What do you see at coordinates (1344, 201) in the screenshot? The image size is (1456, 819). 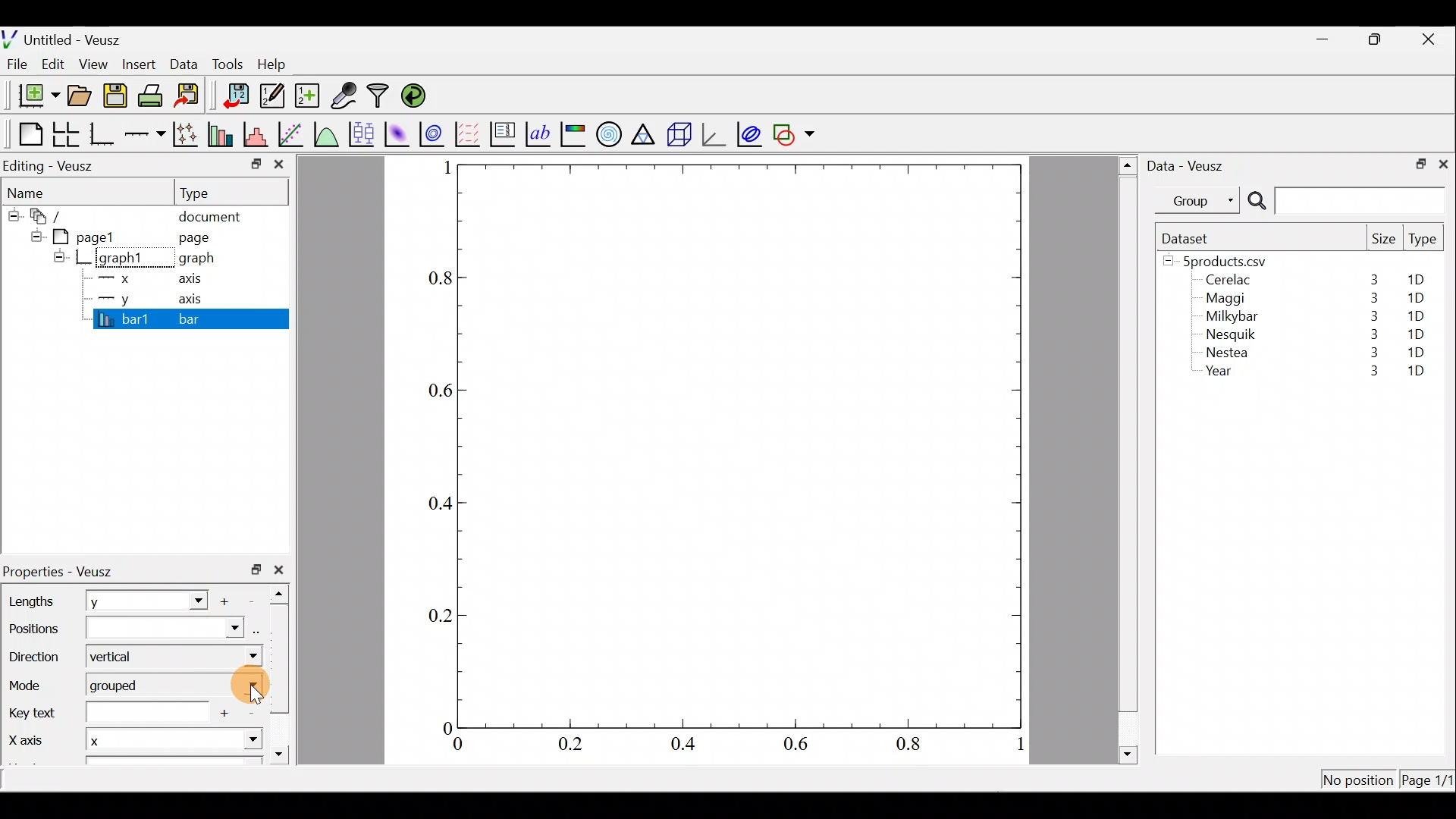 I see `Search bar` at bounding box center [1344, 201].